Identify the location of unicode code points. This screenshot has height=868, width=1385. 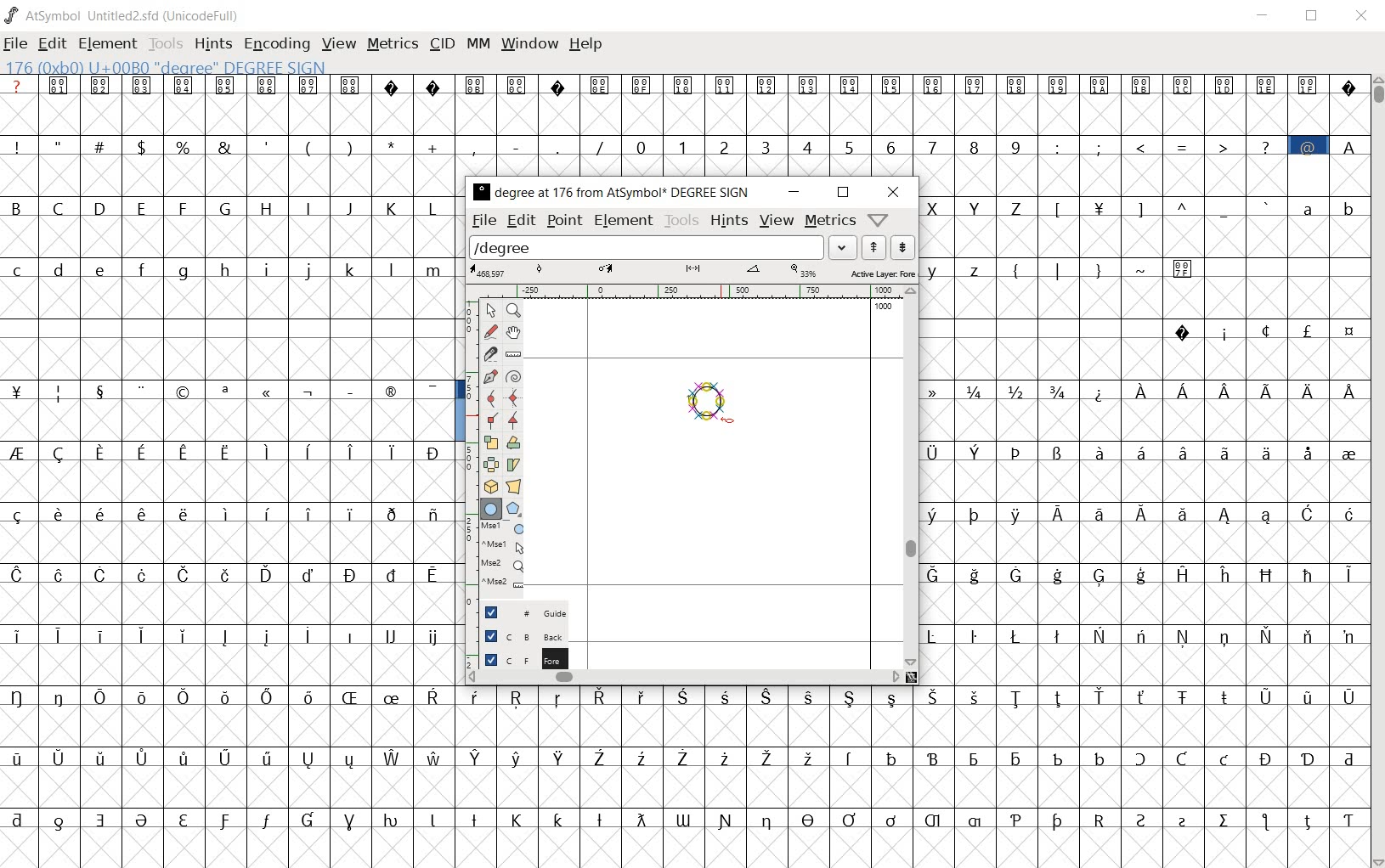
(958, 85).